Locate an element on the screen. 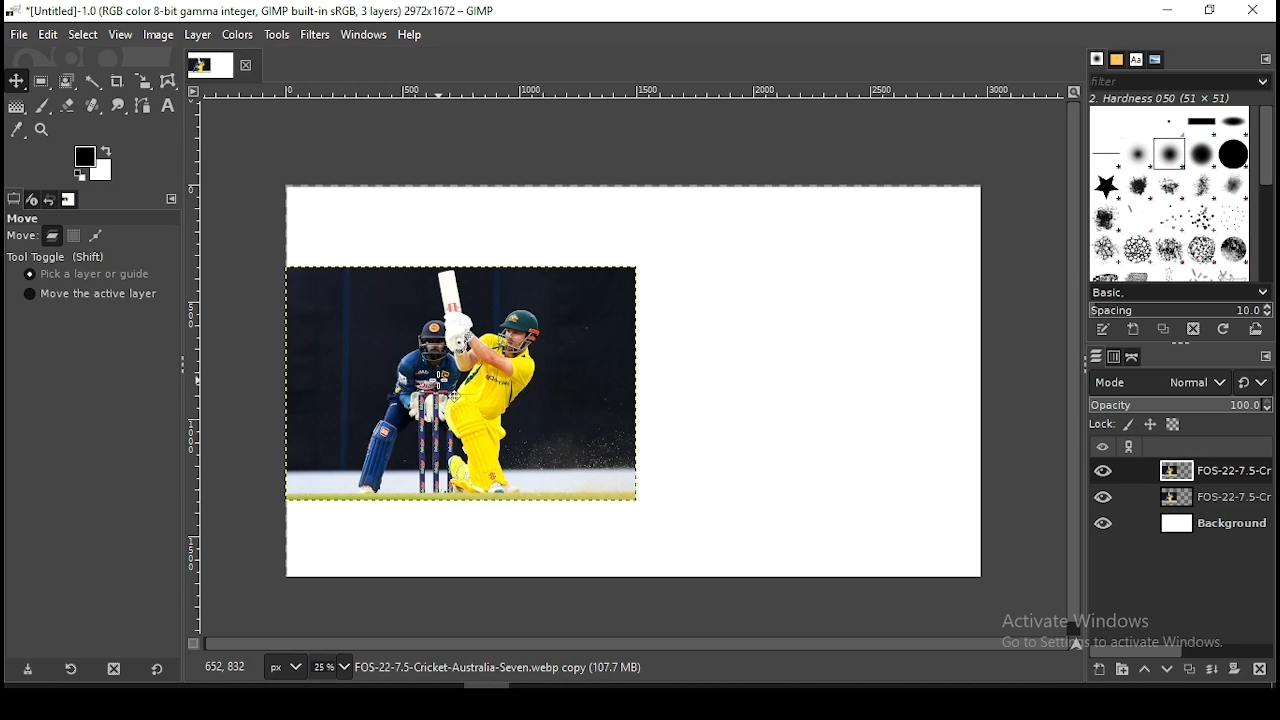 The width and height of the screenshot is (1280, 720). restore to defaults is located at coordinates (159, 668).